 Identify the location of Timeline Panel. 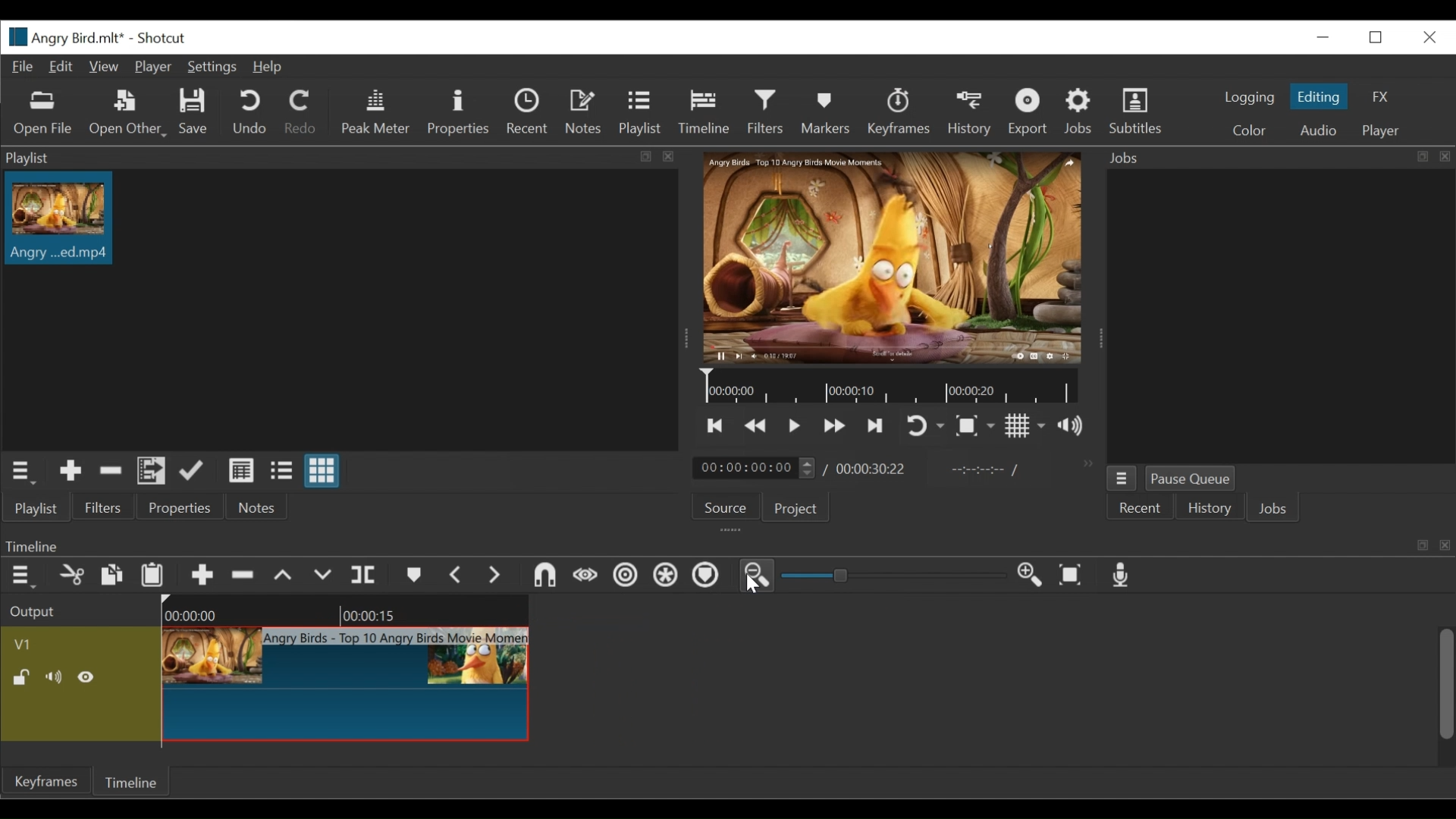
(724, 544).